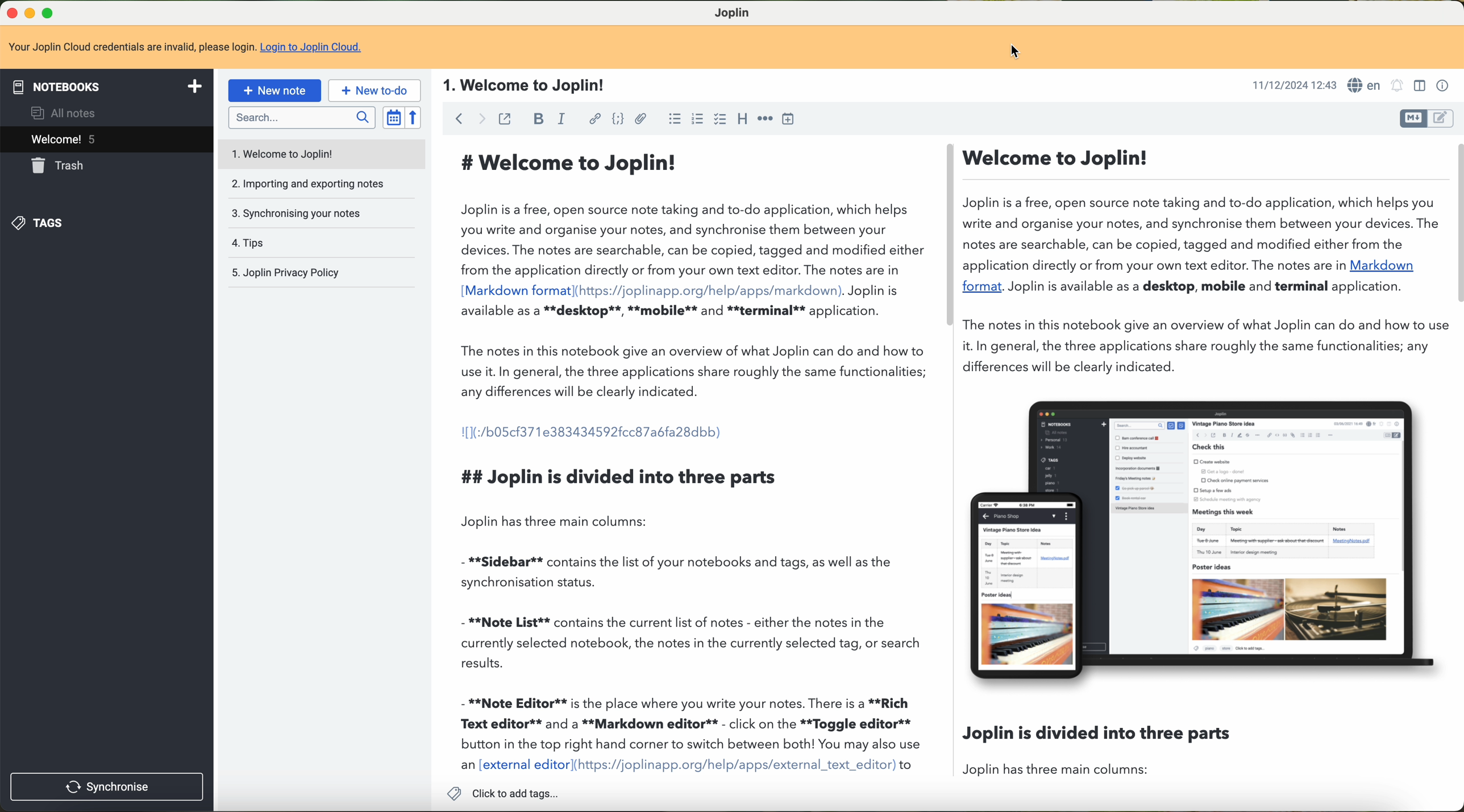 This screenshot has height=812, width=1464. Describe the element at coordinates (455, 118) in the screenshot. I see `navigate back arrow` at that location.